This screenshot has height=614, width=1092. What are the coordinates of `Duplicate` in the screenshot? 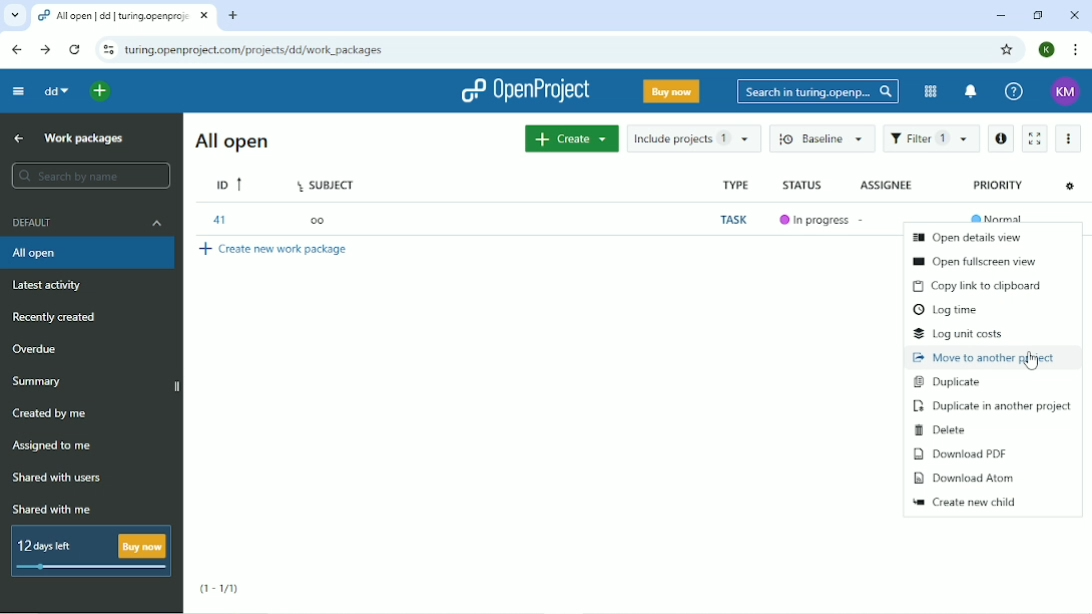 It's located at (948, 381).